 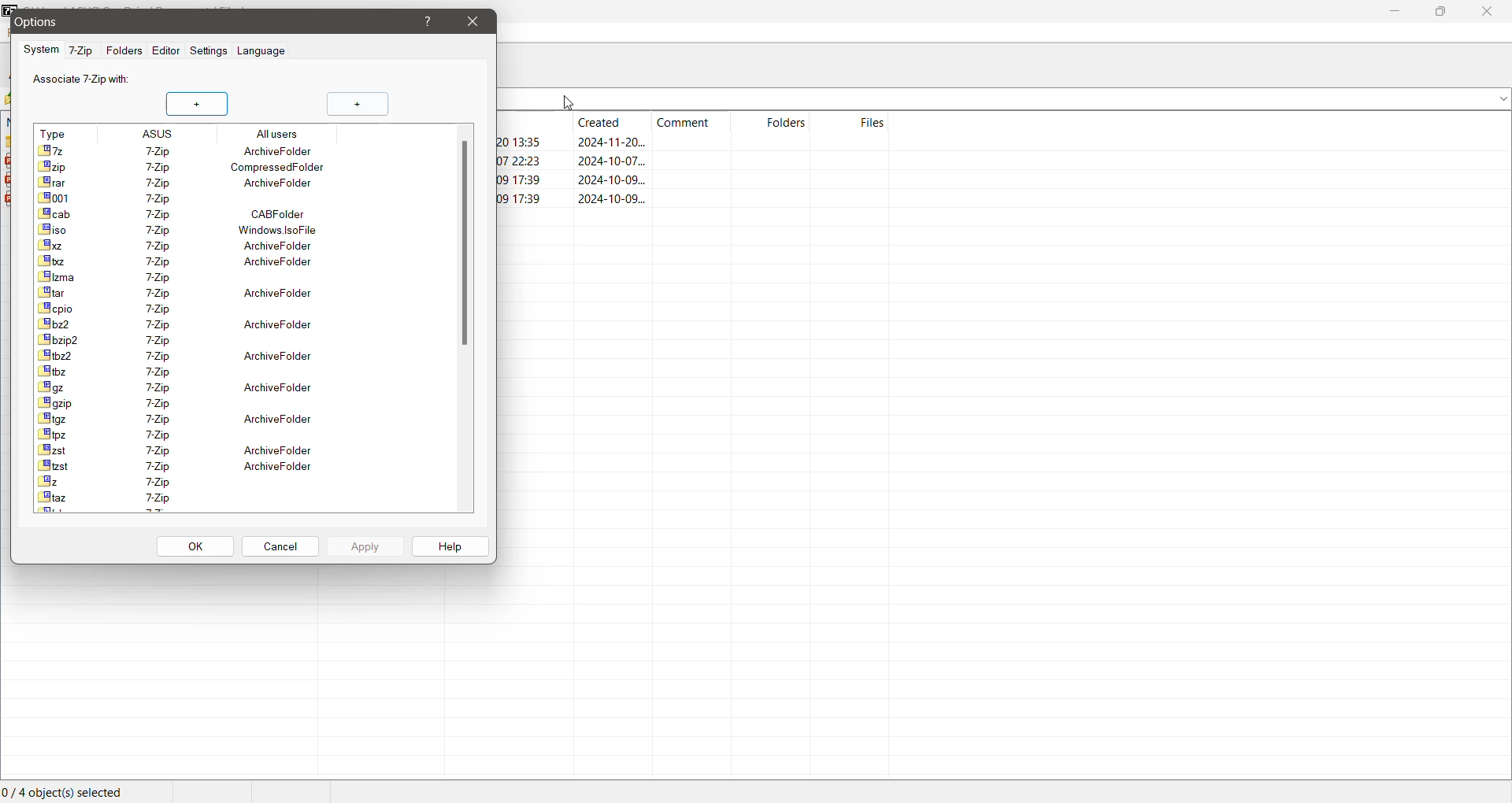 What do you see at coordinates (177, 434) in the screenshot?
I see `Available system details` at bounding box center [177, 434].